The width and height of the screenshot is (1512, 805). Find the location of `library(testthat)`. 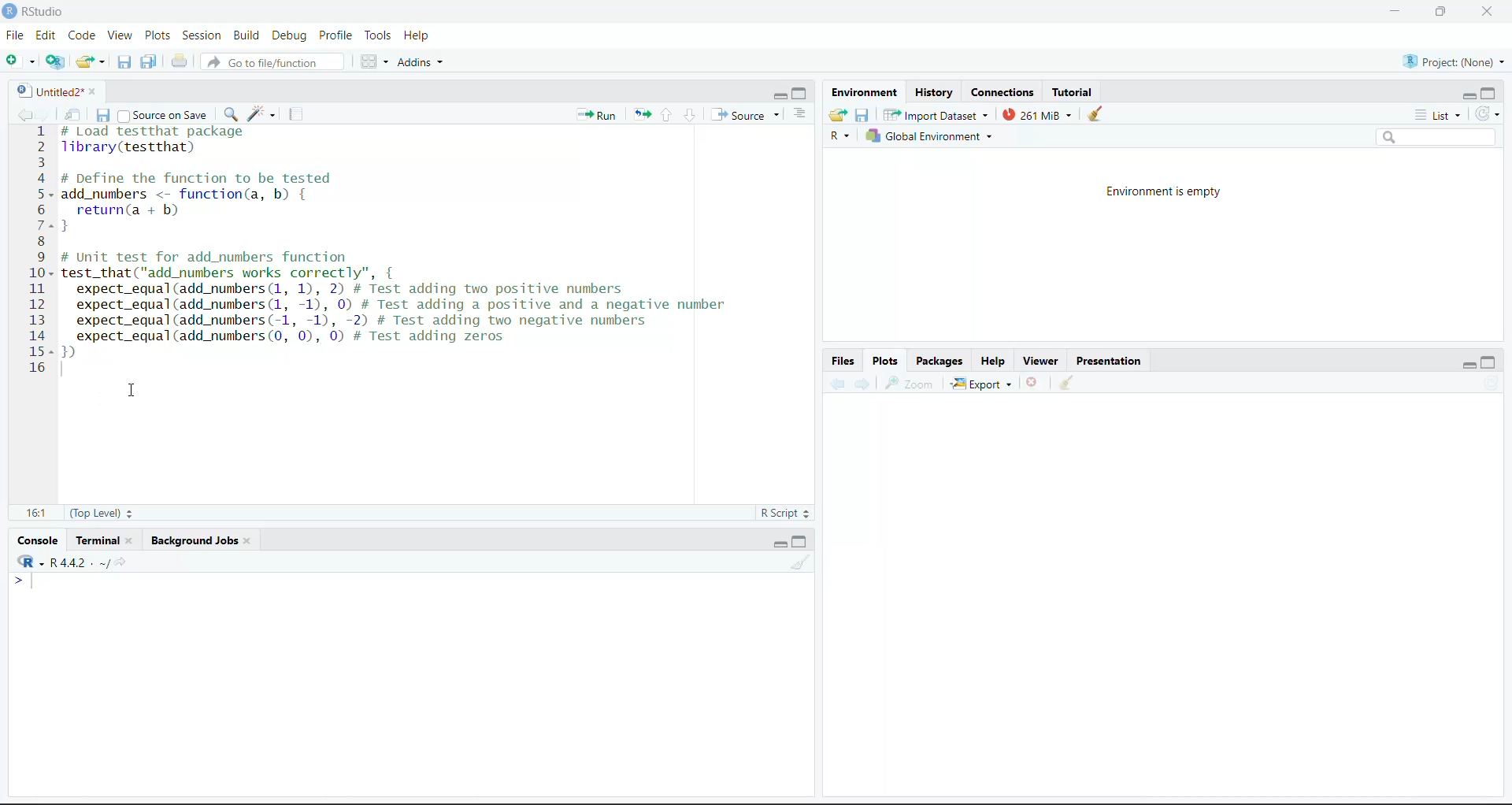

library(testthat) is located at coordinates (128, 147).